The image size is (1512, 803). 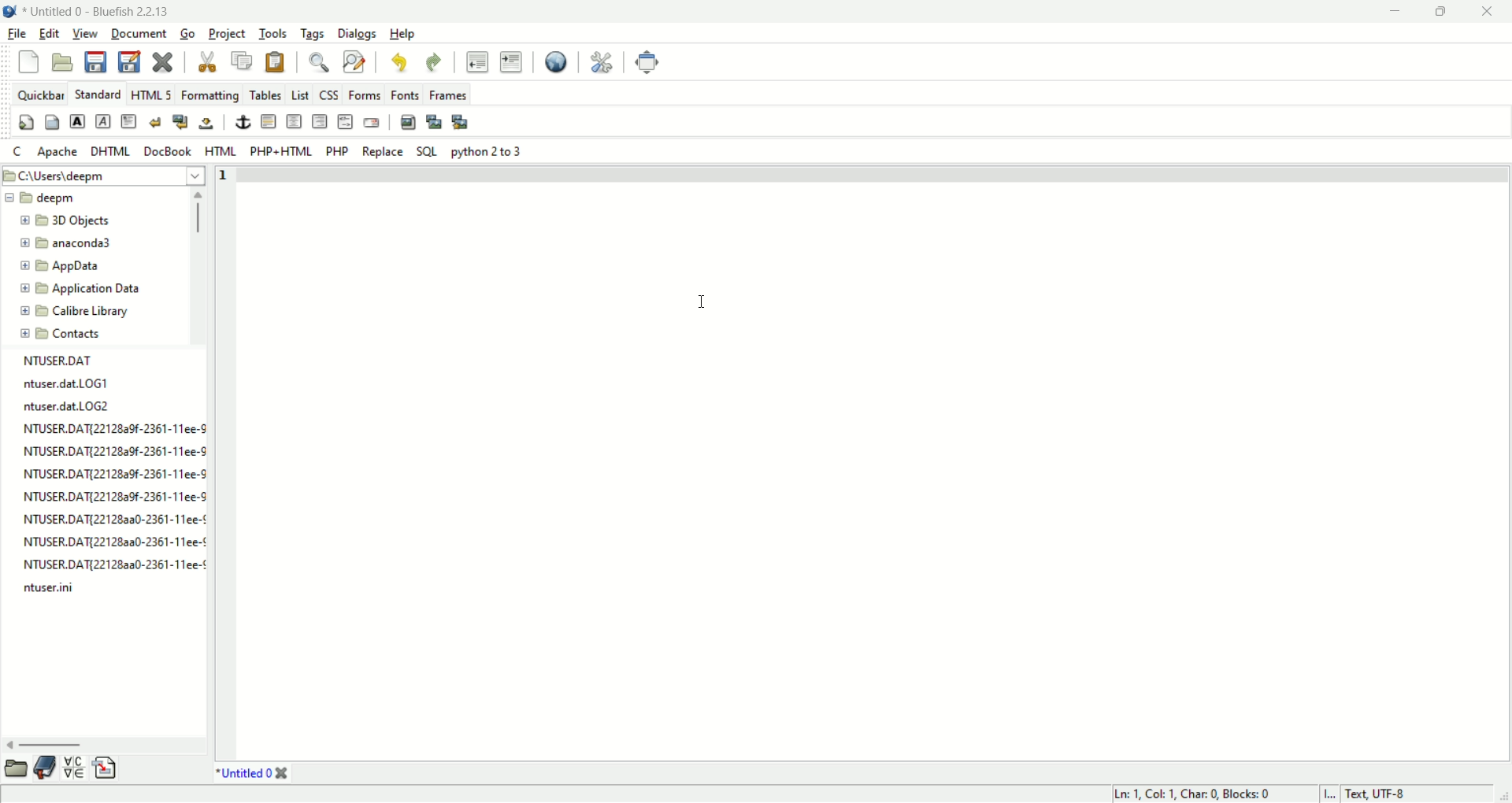 I want to click on HTML comment, so click(x=345, y=122).